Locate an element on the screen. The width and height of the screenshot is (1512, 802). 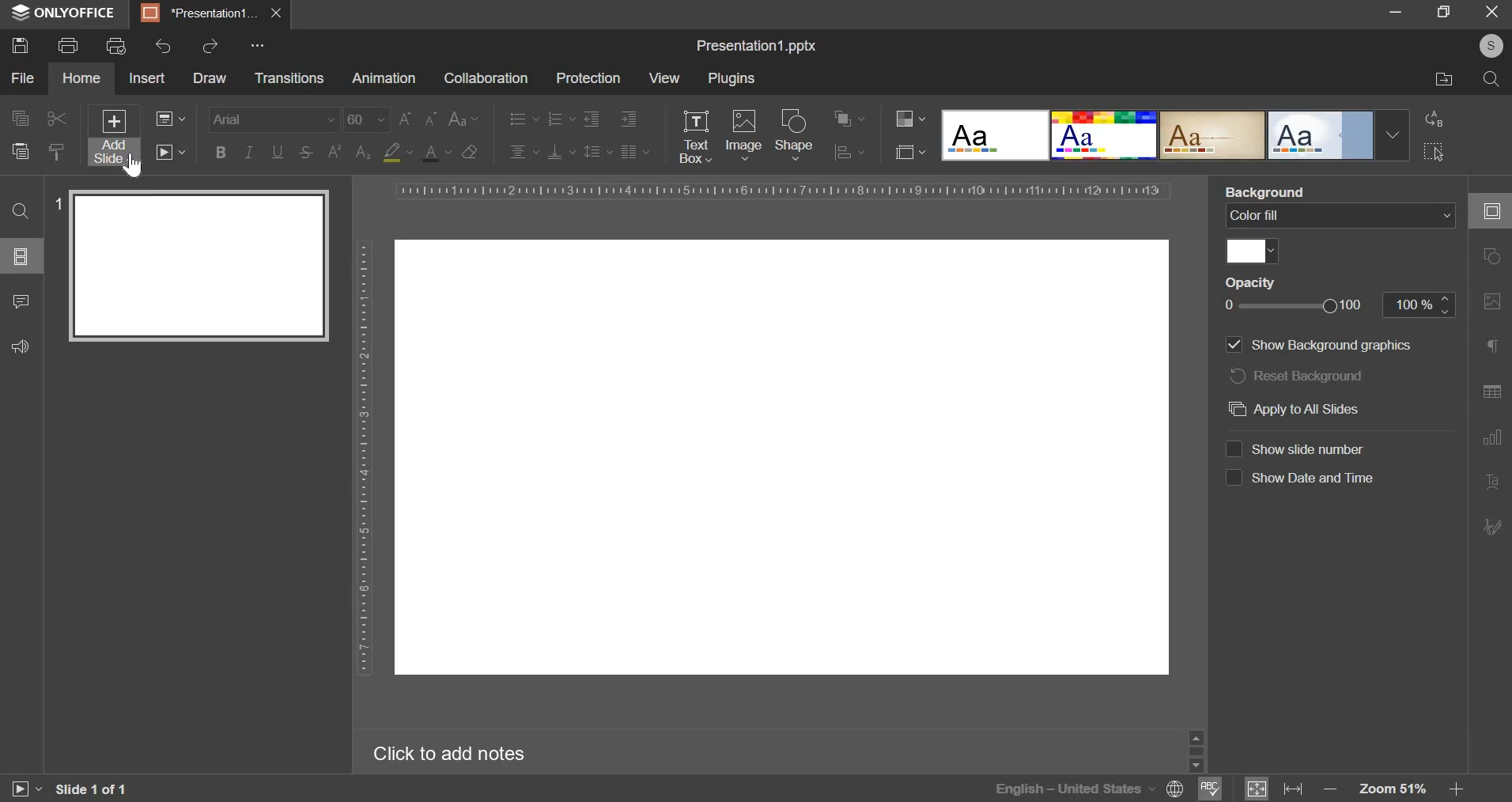
vertical scale is located at coordinates (364, 456).